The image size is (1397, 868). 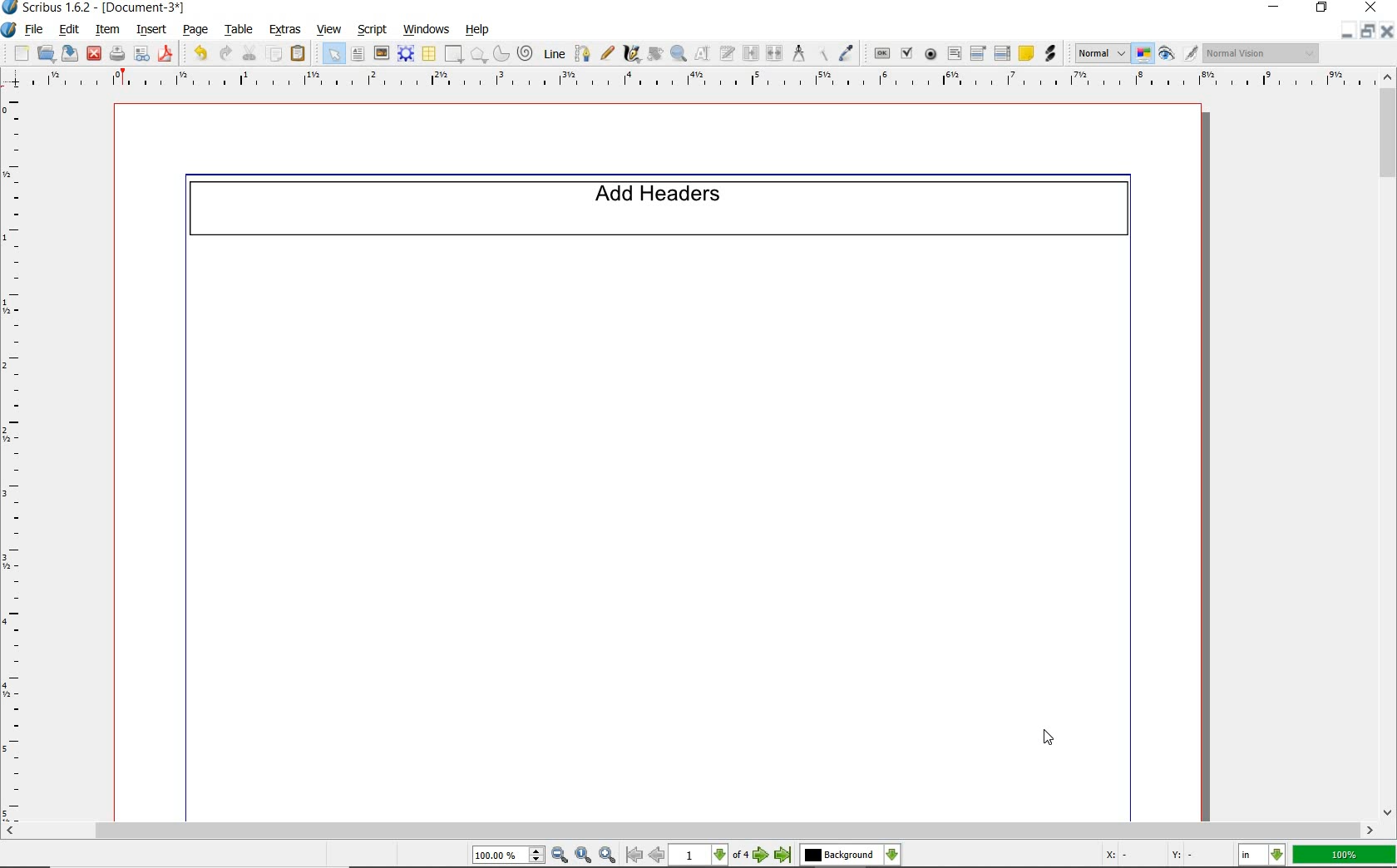 What do you see at coordinates (664, 207) in the screenshot?
I see `Add Headers` at bounding box center [664, 207].